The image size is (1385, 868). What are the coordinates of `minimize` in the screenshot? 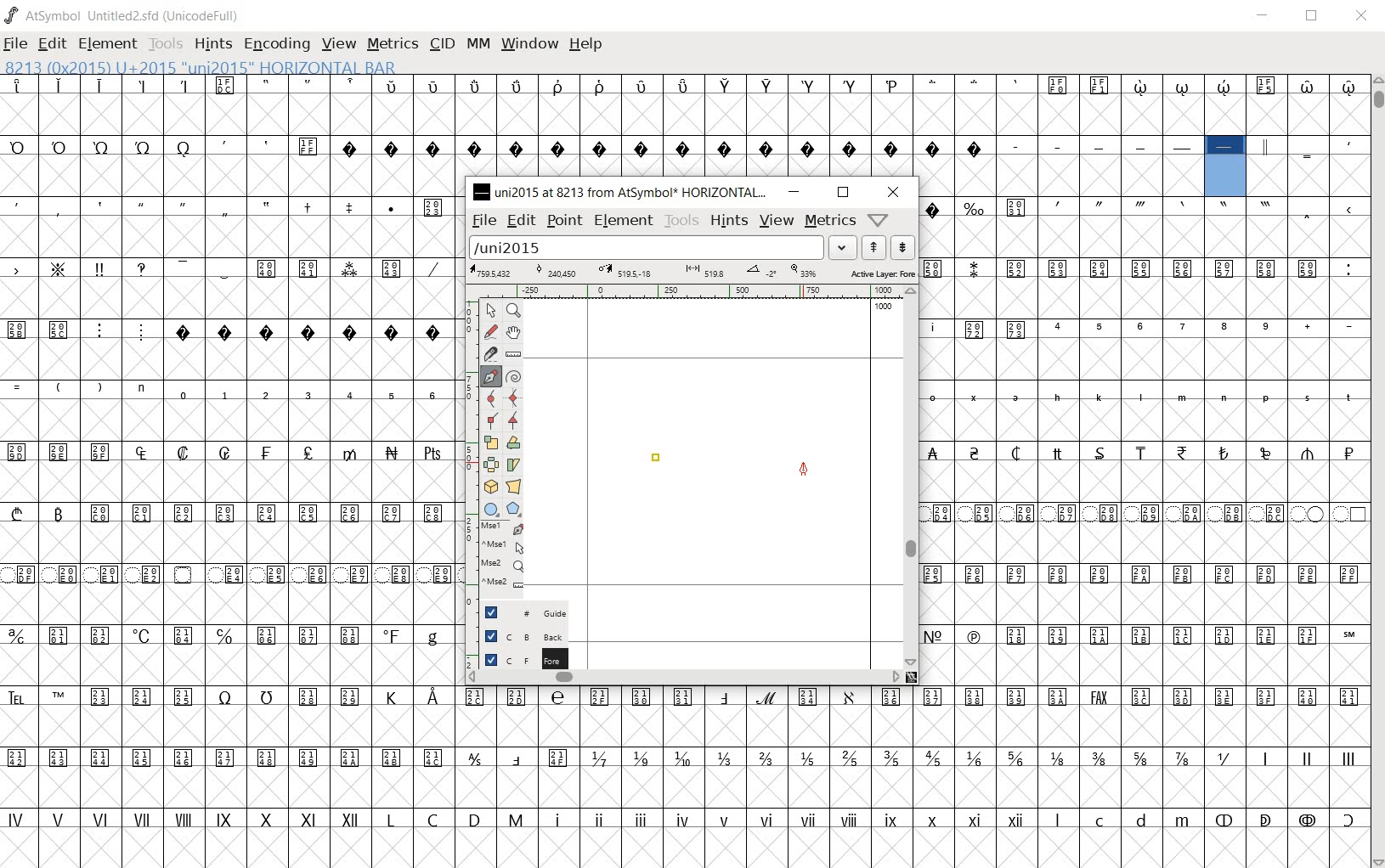 It's located at (795, 193).